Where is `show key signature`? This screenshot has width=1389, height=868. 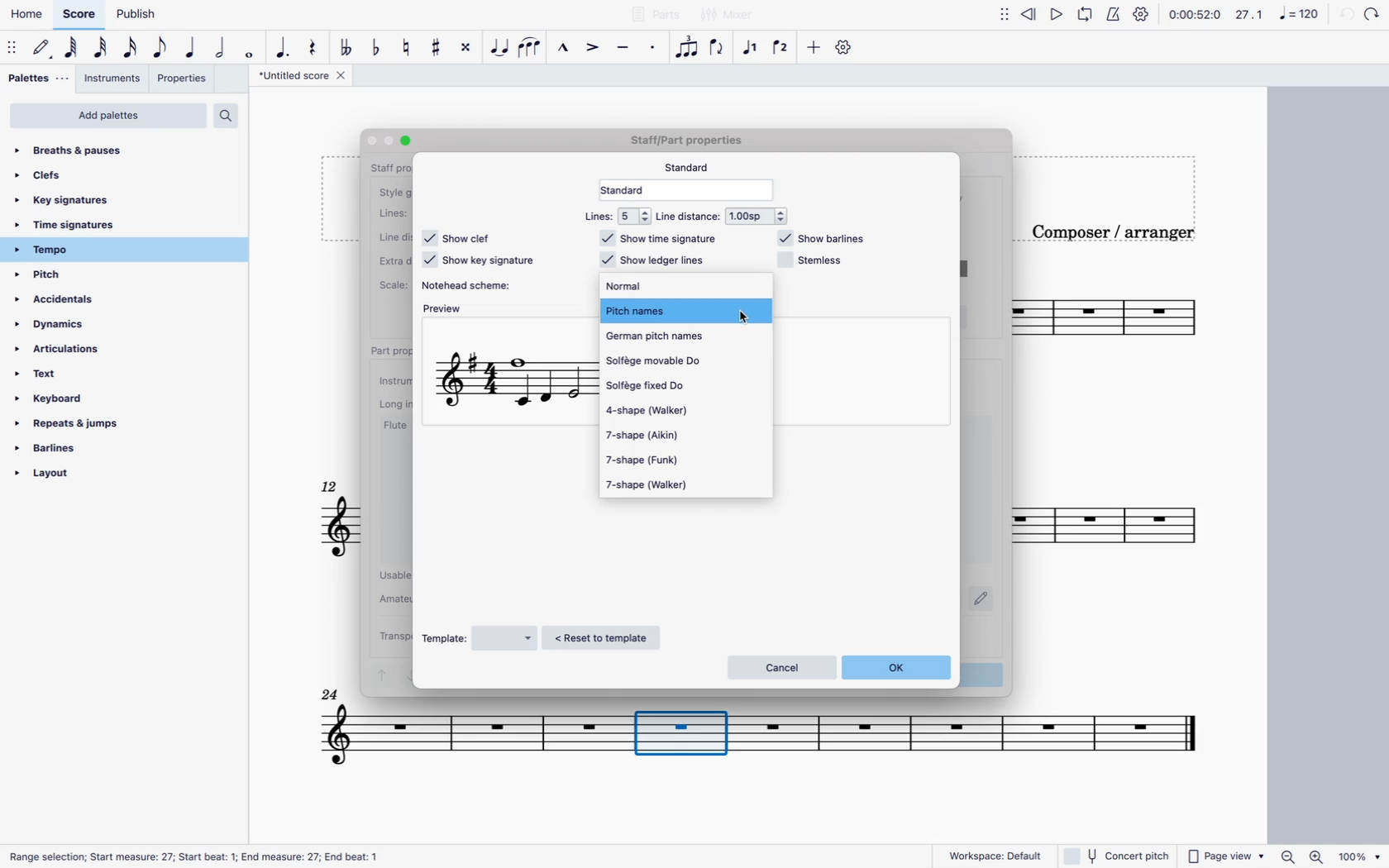 show key signature is located at coordinates (480, 261).